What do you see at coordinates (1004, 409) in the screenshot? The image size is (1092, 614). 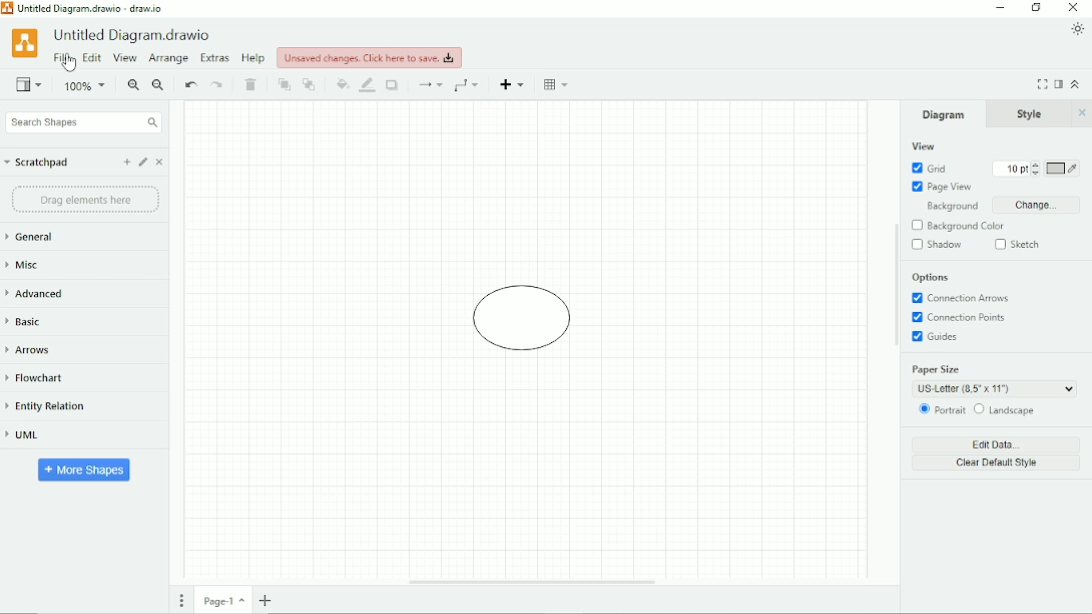 I see `Landscape` at bounding box center [1004, 409].